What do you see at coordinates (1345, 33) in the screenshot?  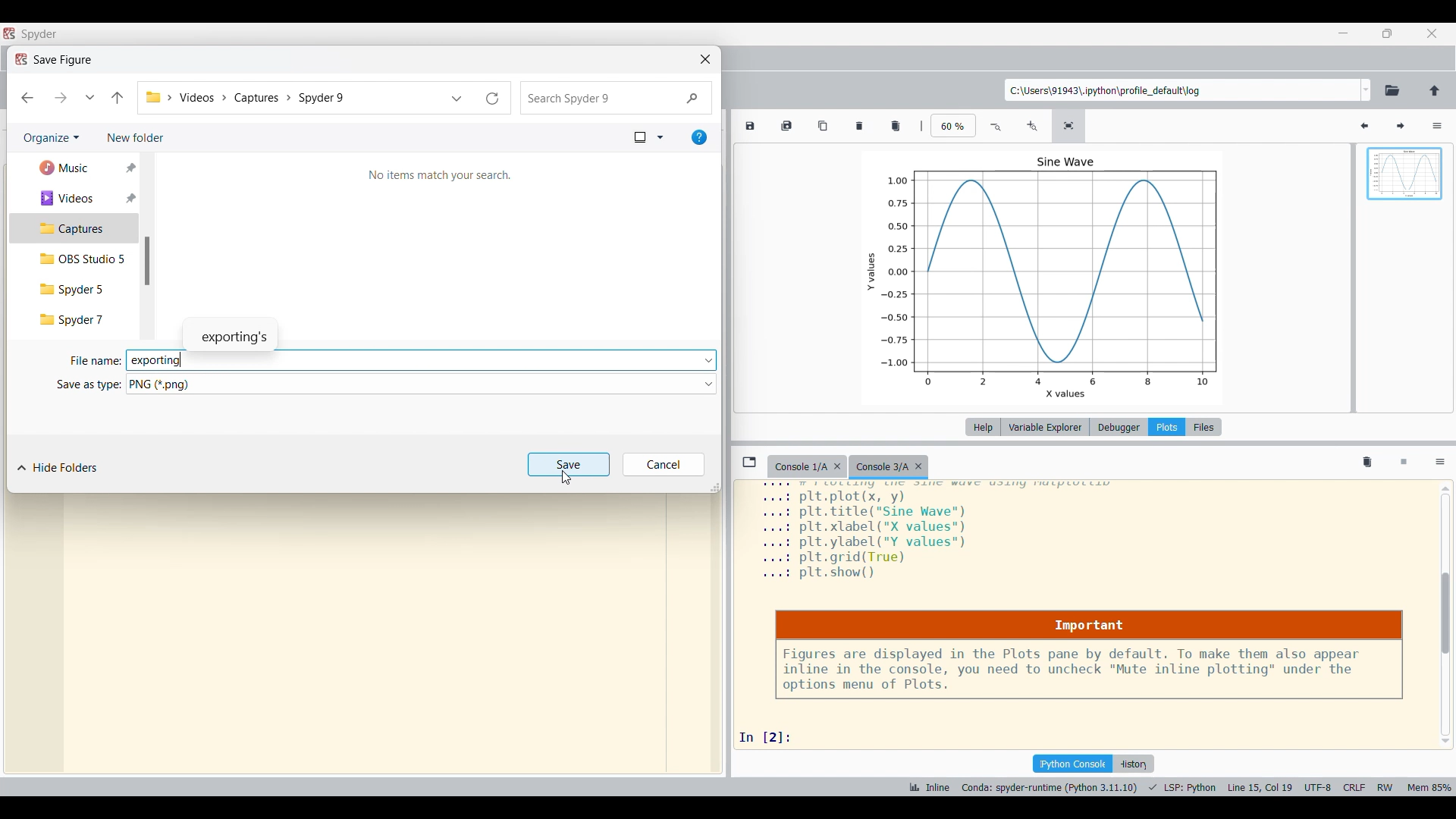 I see `Minimize` at bounding box center [1345, 33].